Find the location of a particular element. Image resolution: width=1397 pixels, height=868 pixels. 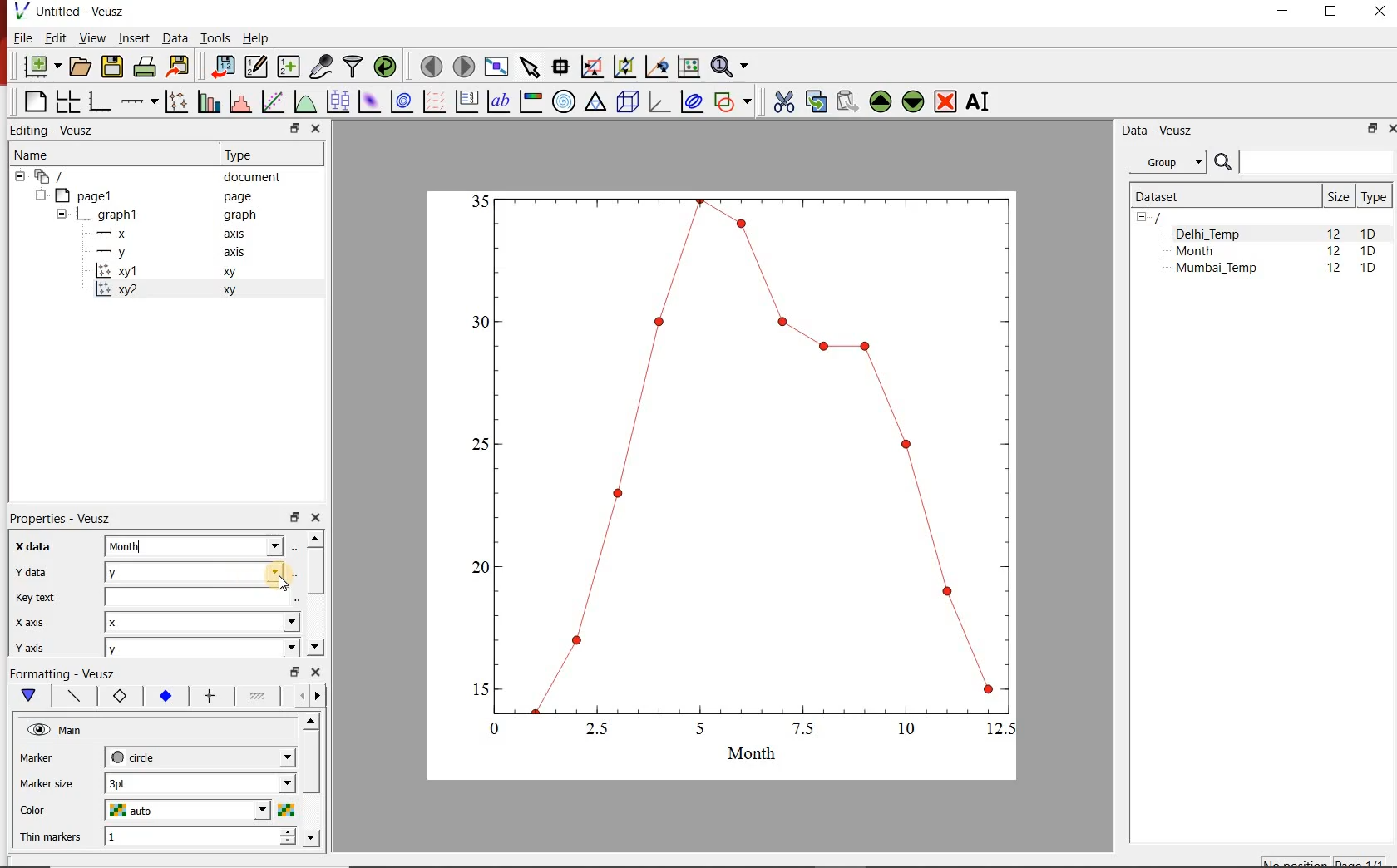

view plot full screen is located at coordinates (496, 67).